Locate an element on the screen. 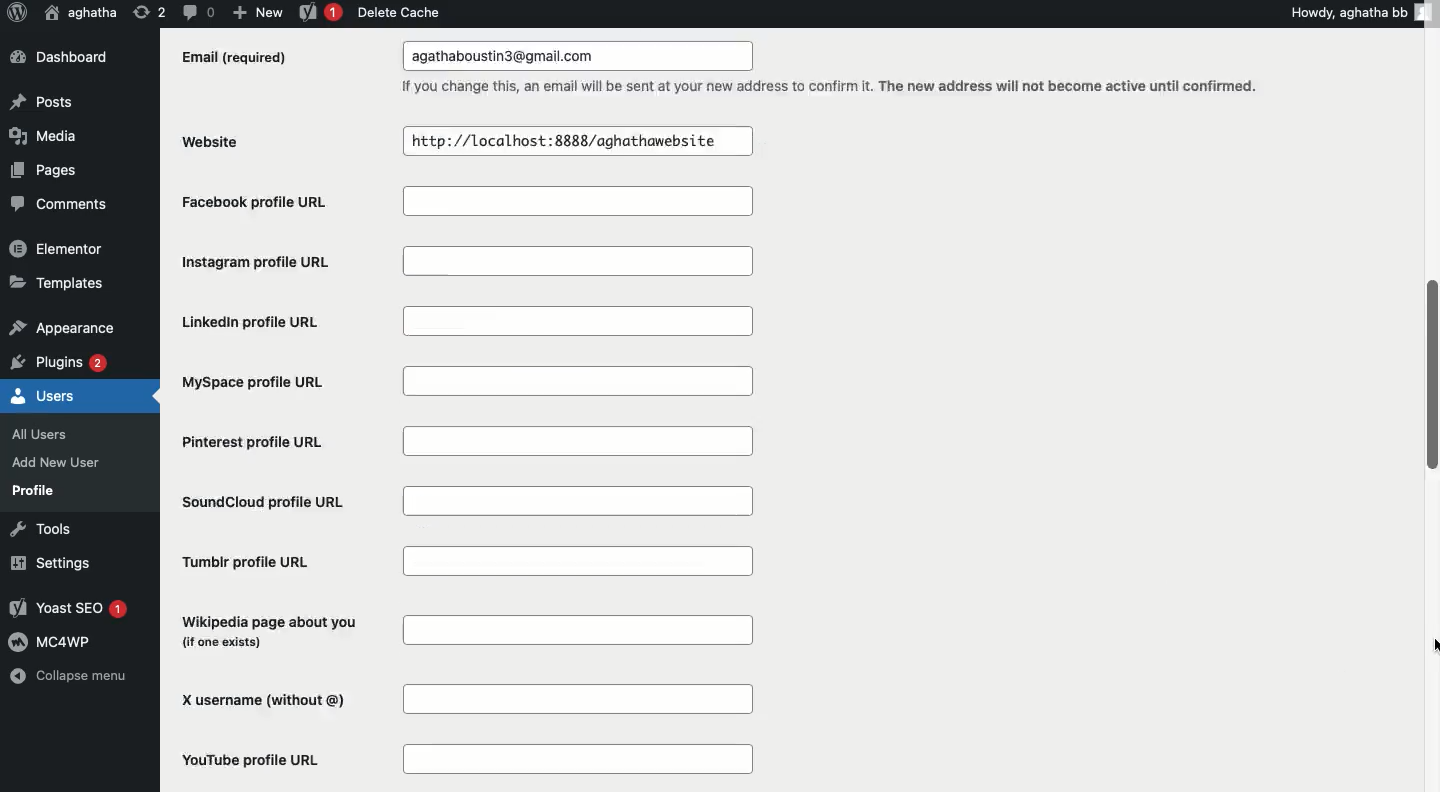 The image size is (1440, 792). SoundCloud profile URL is located at coordinates (467, 501).